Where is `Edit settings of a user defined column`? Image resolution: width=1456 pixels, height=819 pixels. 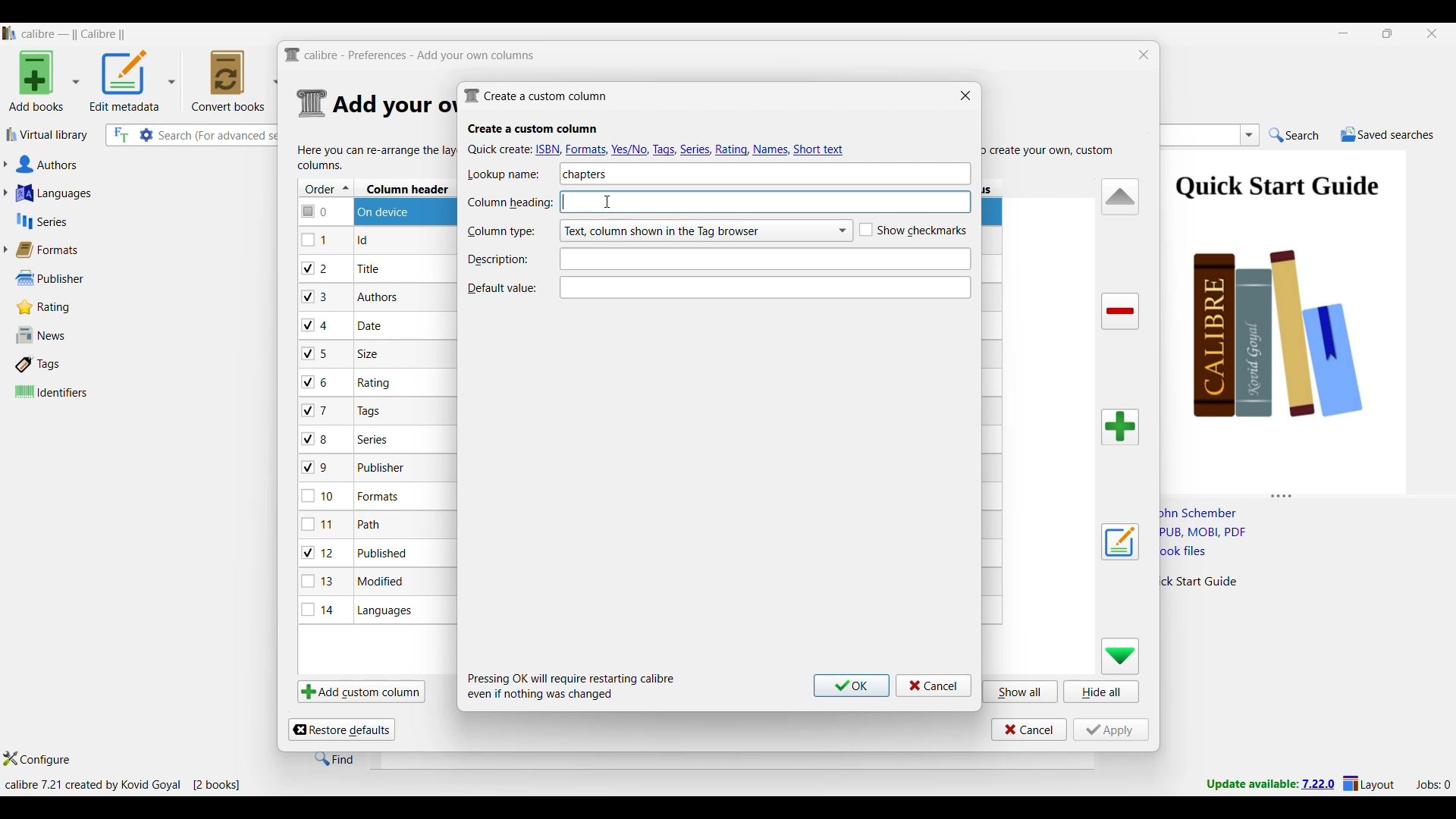 Edit settings of a user defined column is located at coordinates (1120, 542).